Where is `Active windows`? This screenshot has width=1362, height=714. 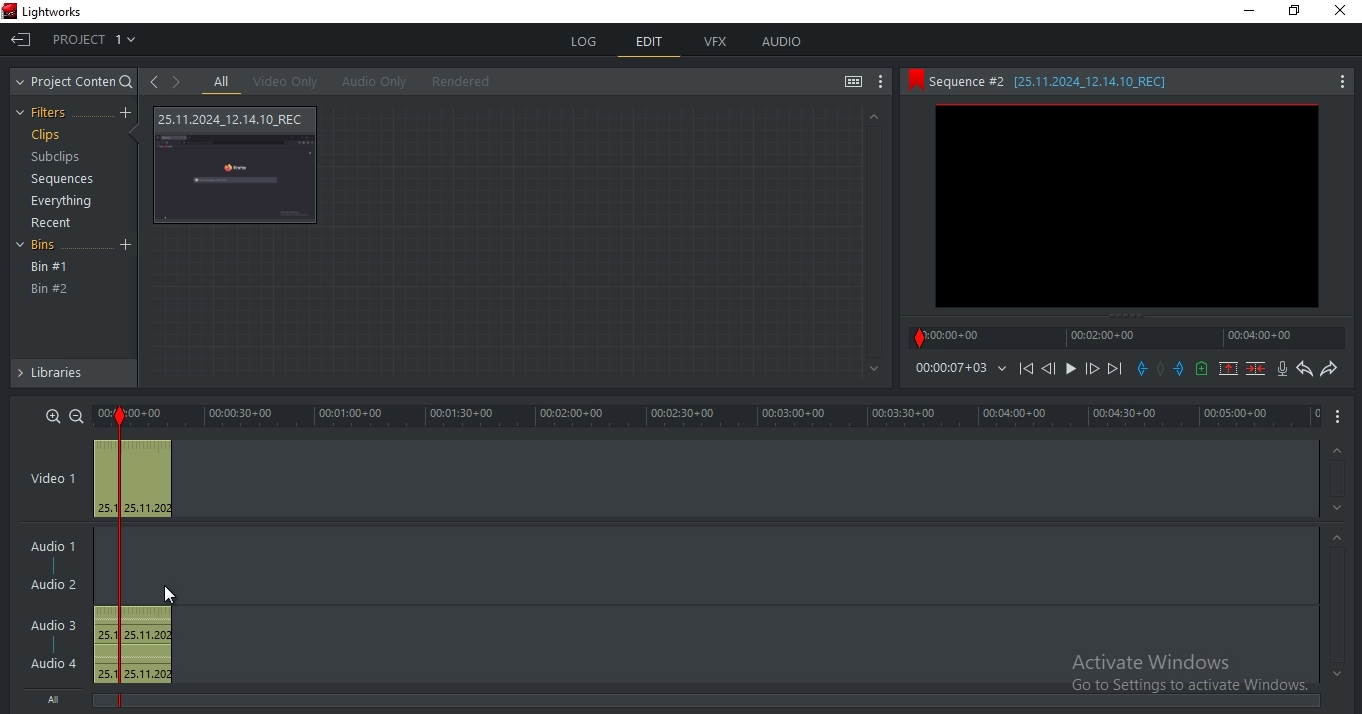 Active windows is located at coordinates (1183, 675).